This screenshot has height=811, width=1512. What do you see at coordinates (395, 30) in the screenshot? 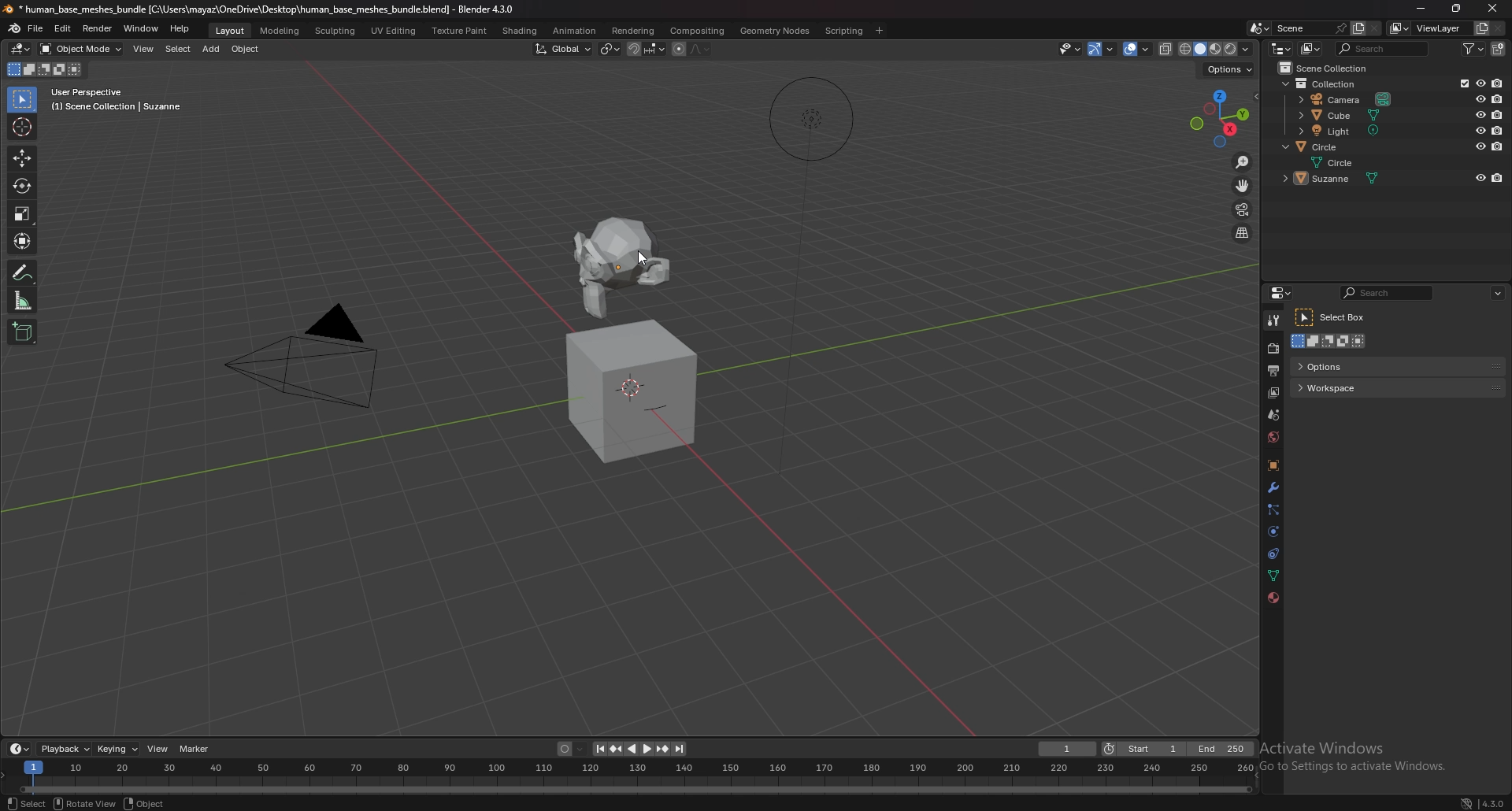
I see `uv editing` at bounding box center [395, 30].